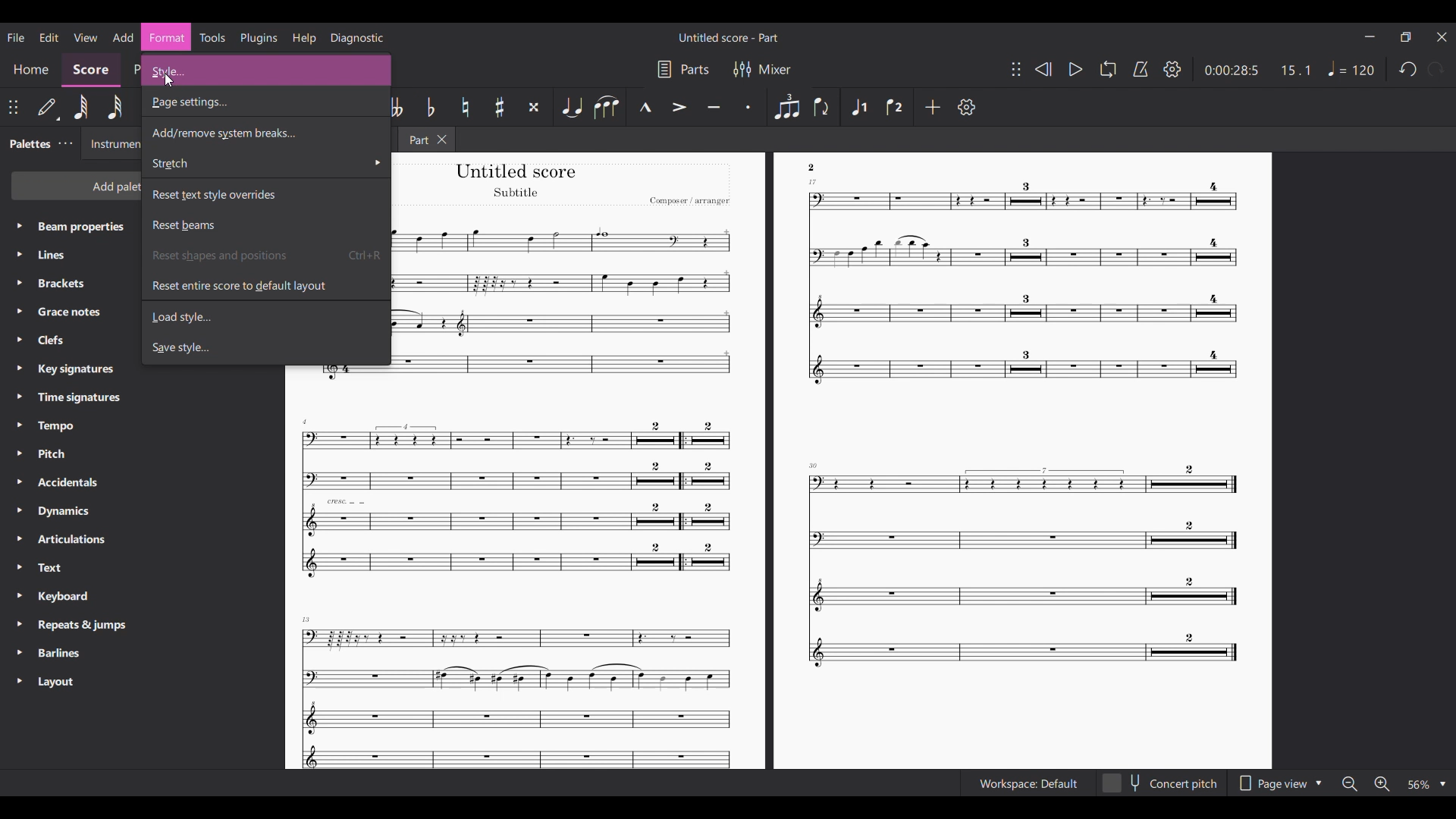 Image resolution: width=1456 pixels, height=819 pixels. Describe the element at coordinates (714, 107) in the screenshot. I see `Tenuto` at that location.